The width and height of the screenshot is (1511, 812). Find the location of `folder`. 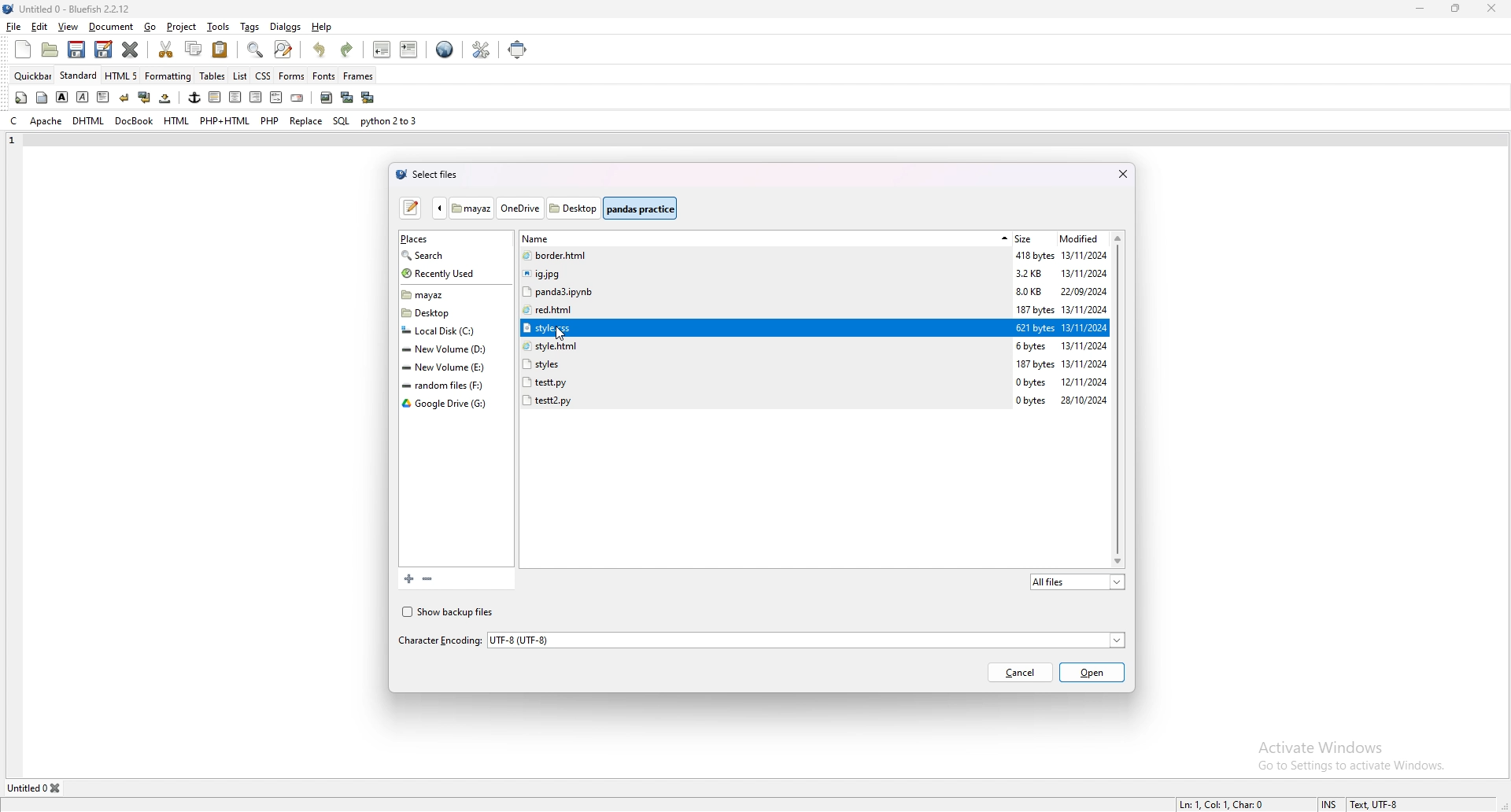

folder is located at coordinates (452, 296).